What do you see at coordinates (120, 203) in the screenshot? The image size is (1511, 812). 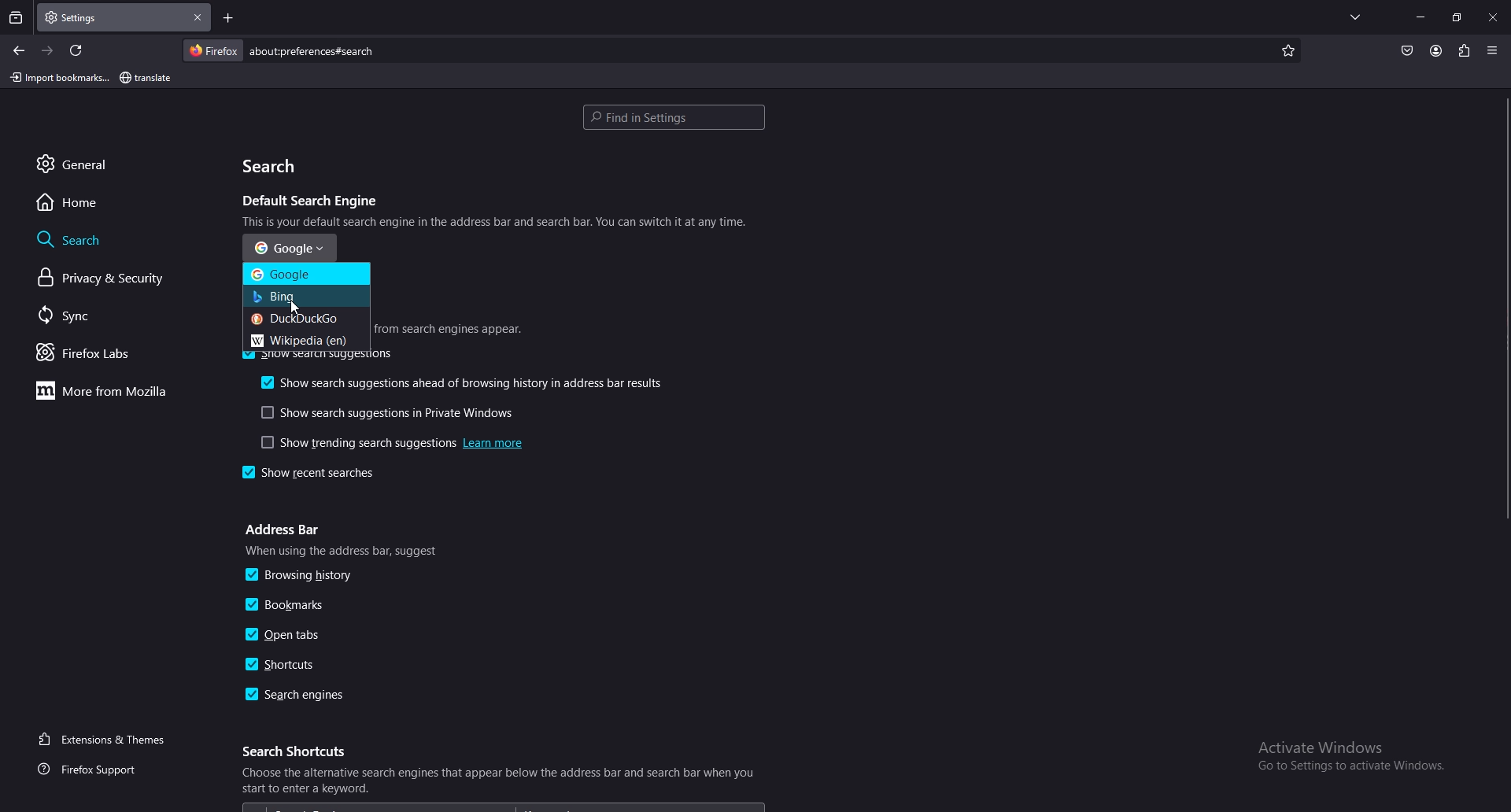 I see `home` at bounding box center [120, 203].